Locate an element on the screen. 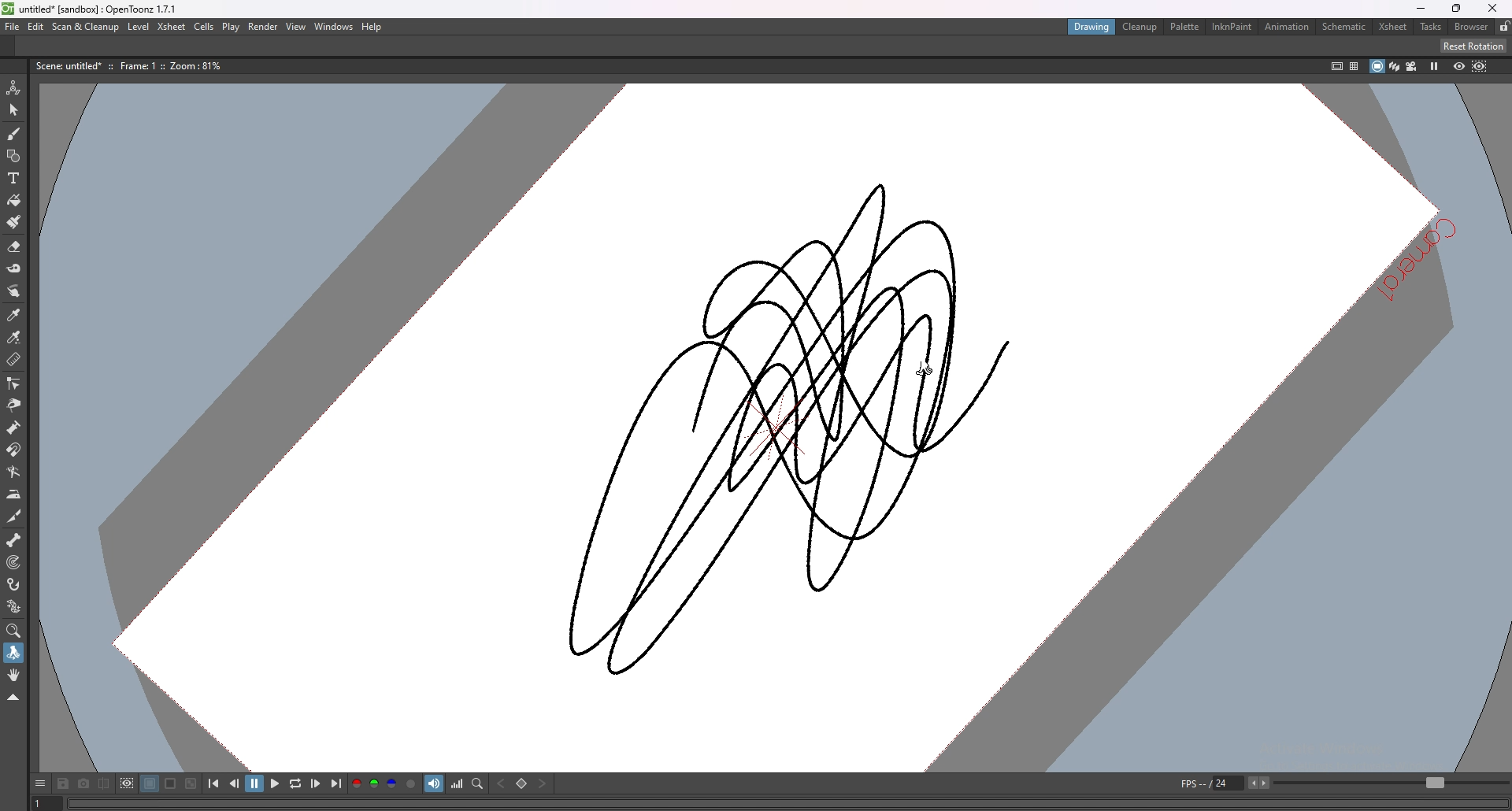 The image size is (1512, 811). drawing is located at coordinates (780, 422).